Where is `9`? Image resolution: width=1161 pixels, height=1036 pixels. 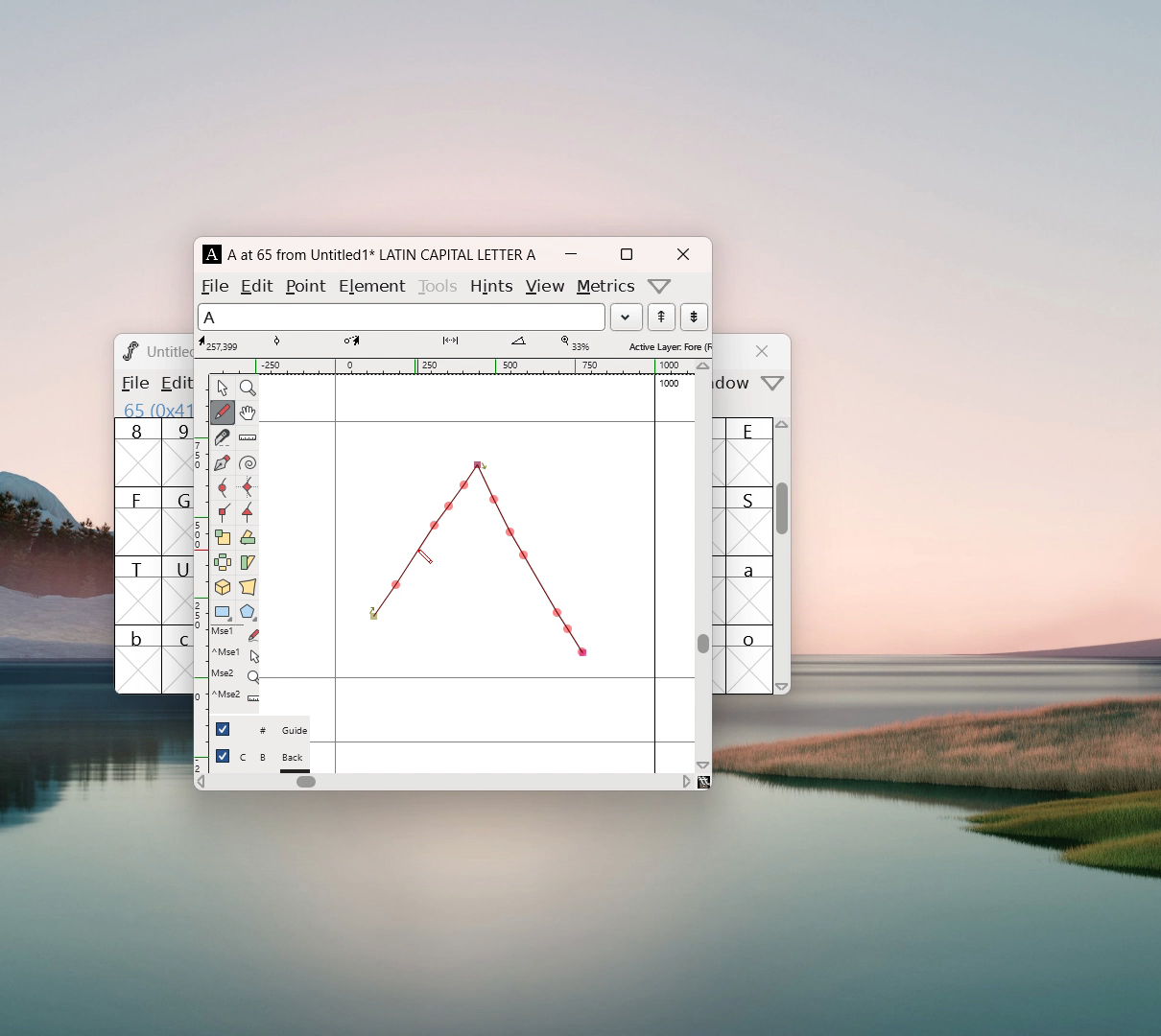 9 is located at coordinates (178, 452).